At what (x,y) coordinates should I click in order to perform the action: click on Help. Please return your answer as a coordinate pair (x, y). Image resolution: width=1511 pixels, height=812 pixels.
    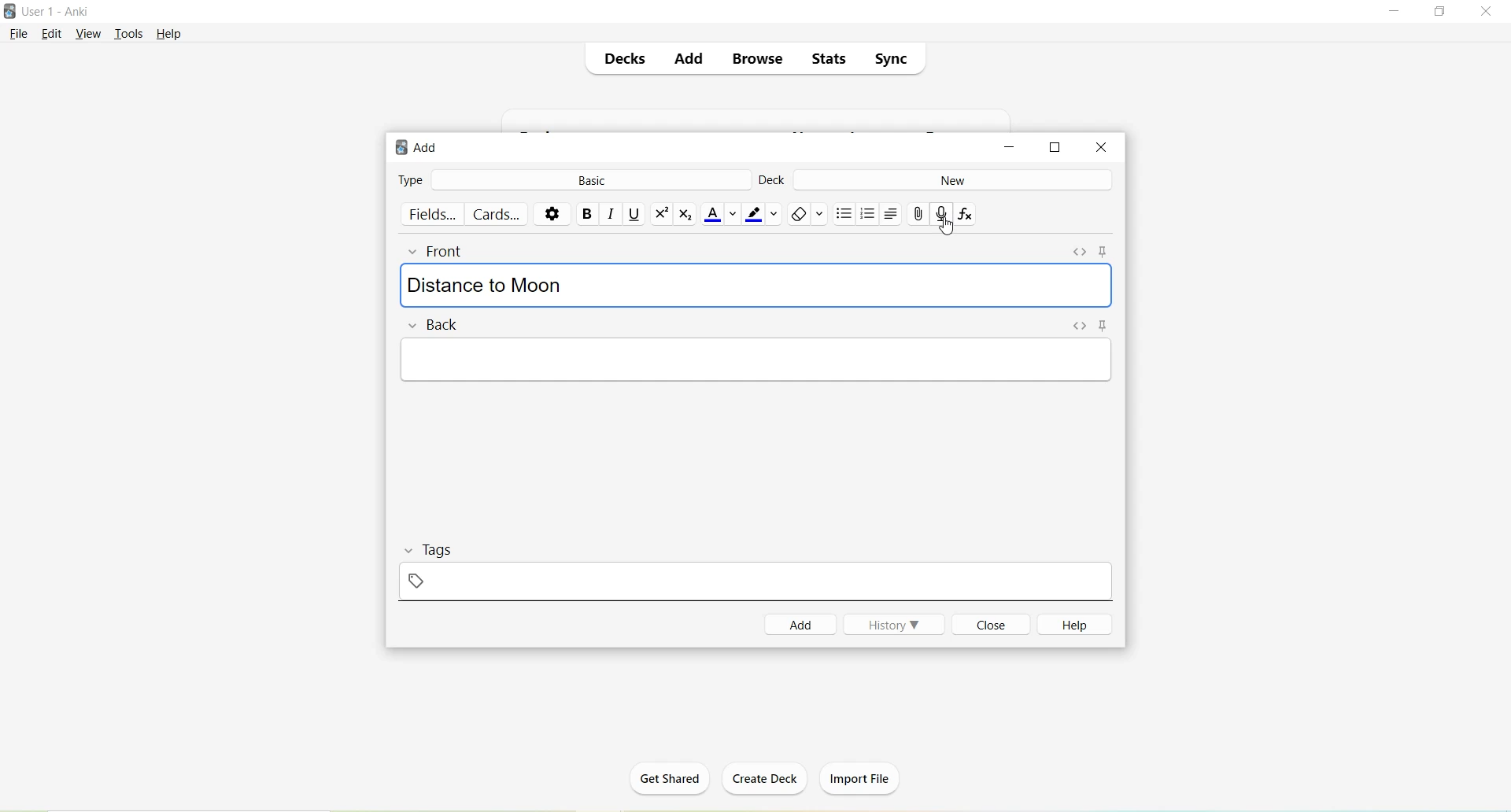
    Looking at the image, I should click on (1070, 625).